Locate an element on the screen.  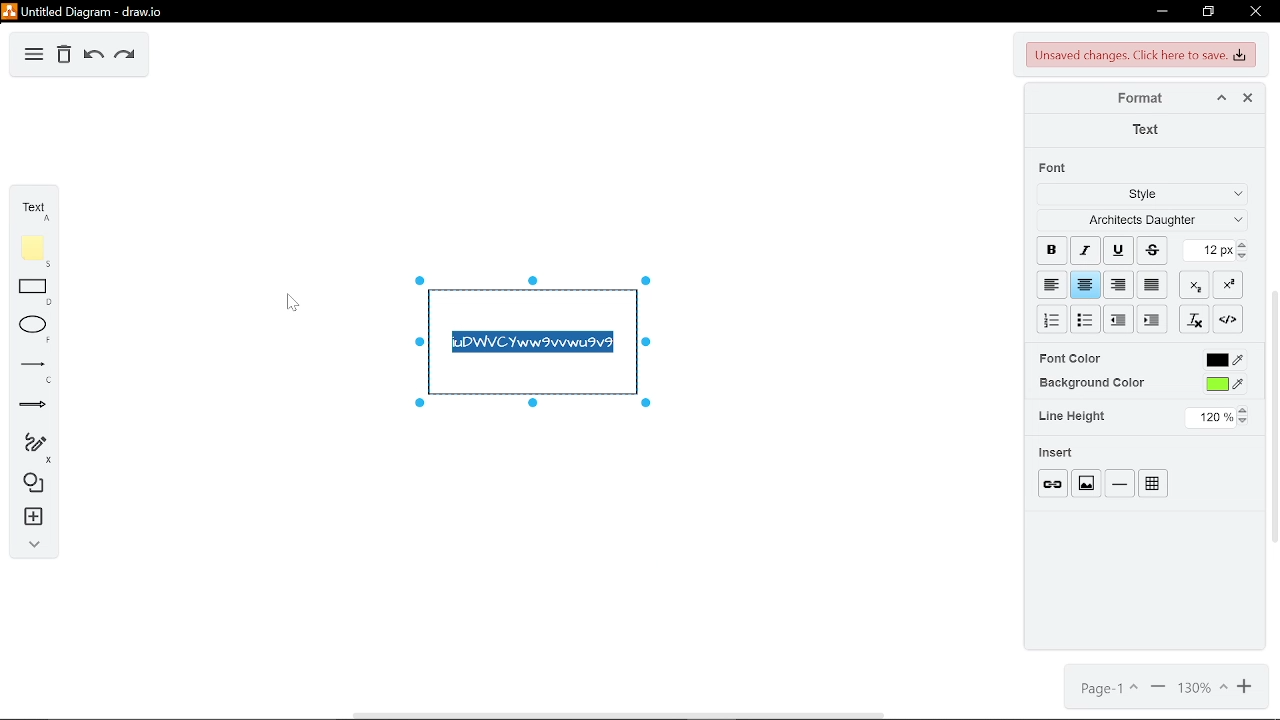
font is located at coordinates (1056, 167).